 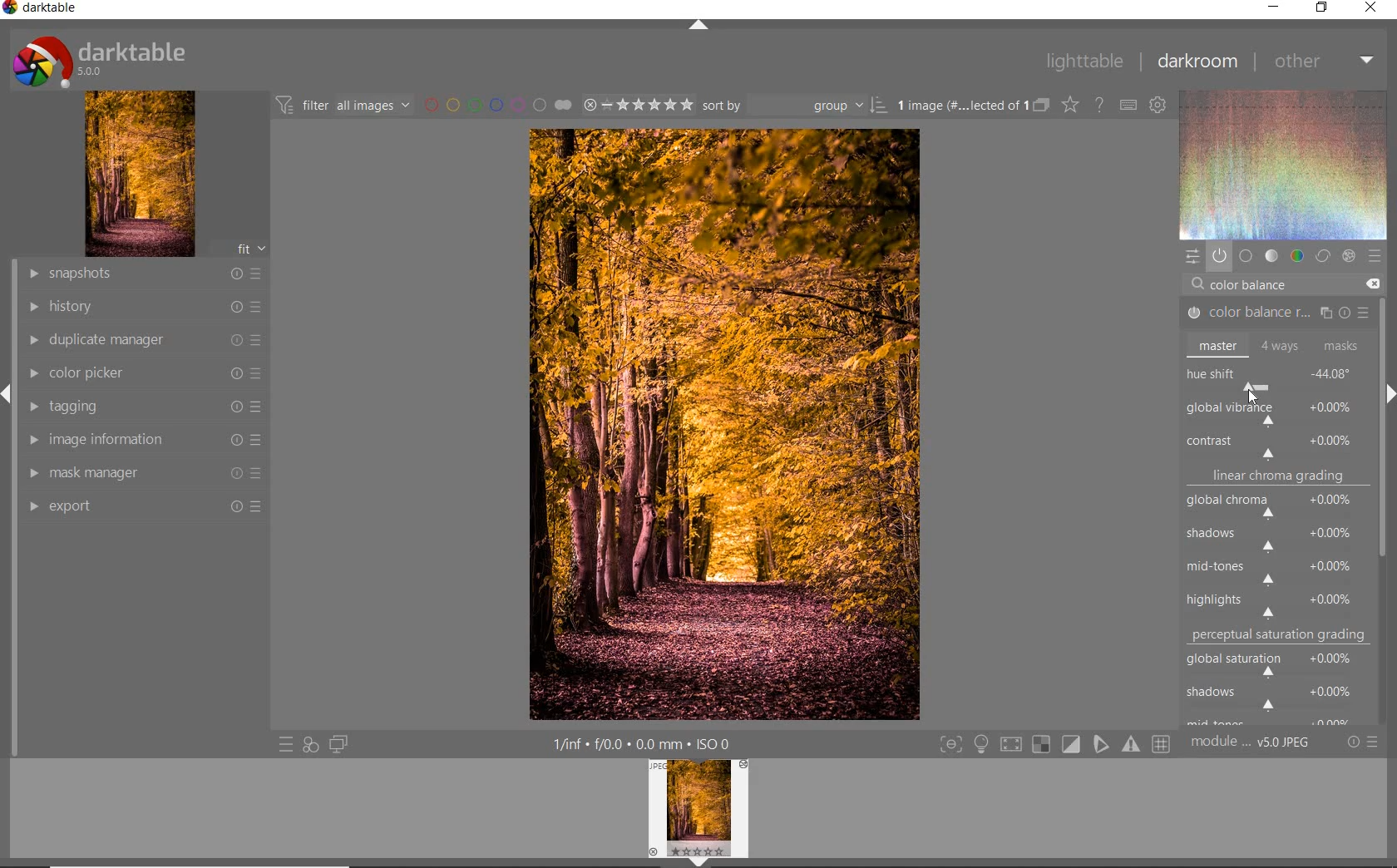 What do you see at coordinates (1250, 744) in the screenshot?
I see `module order` at bounding box center [1250, 744].